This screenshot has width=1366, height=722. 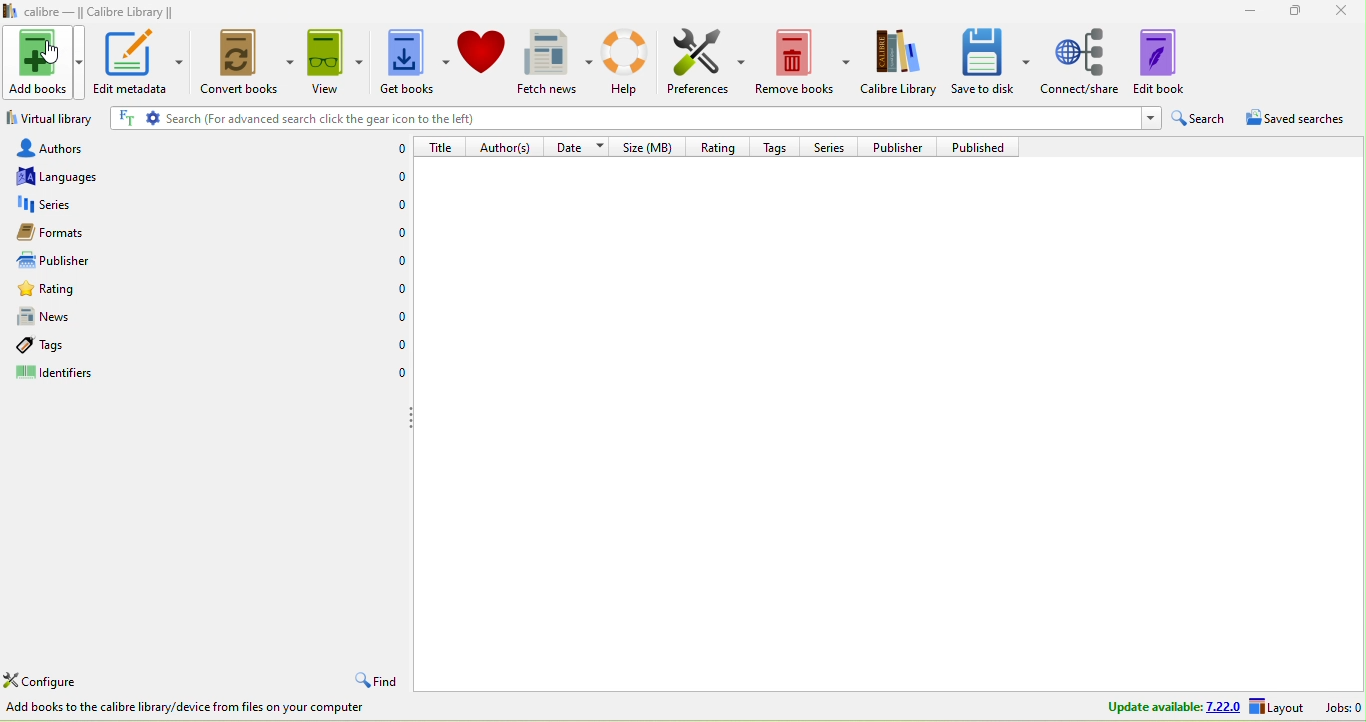 I want to click on edit metadata, so click(x=140, y=61).